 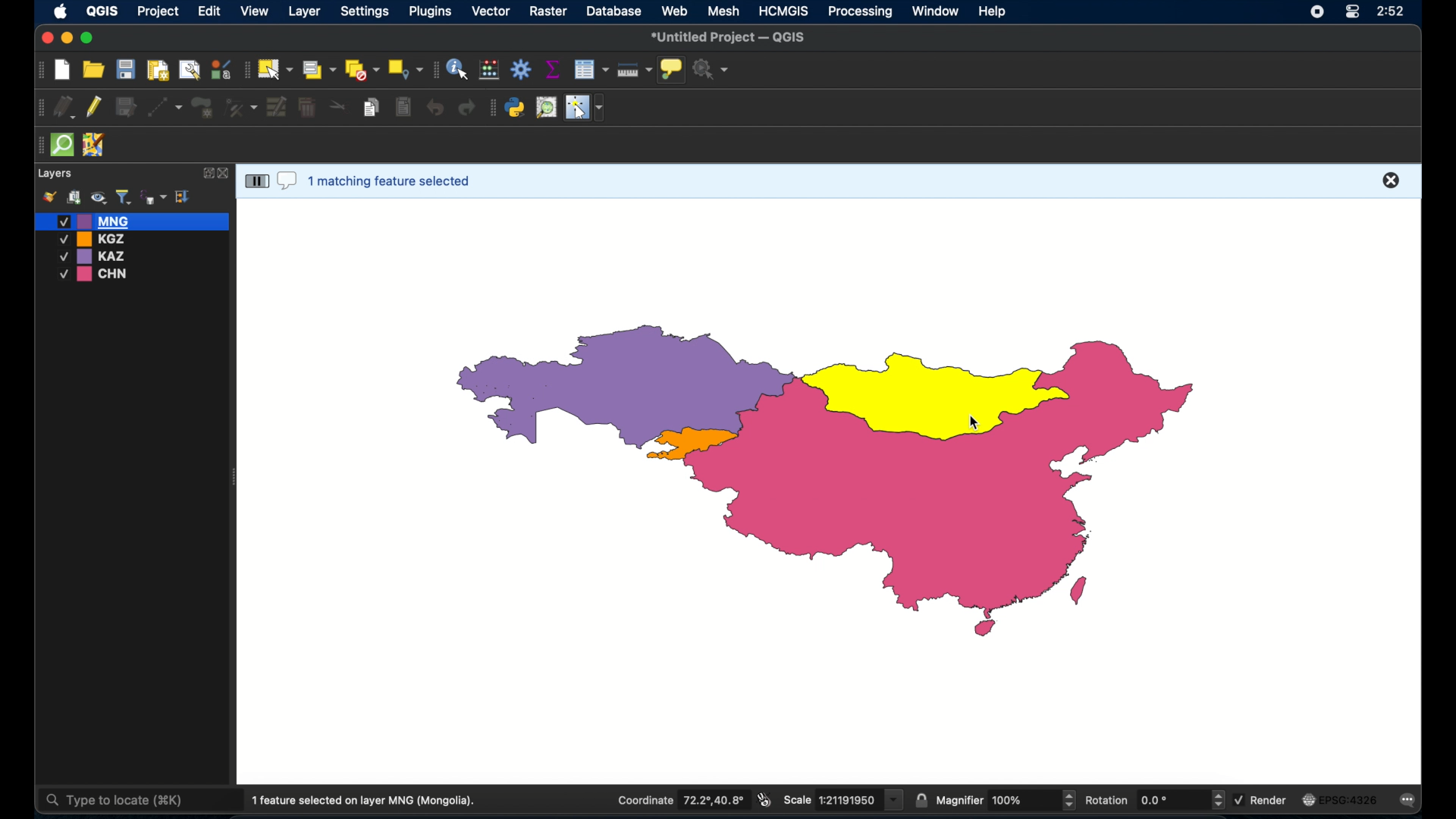 What do you see at coordinates (373, 107) in the screenshot?
I see `copy` at bounding box center [373, 107].